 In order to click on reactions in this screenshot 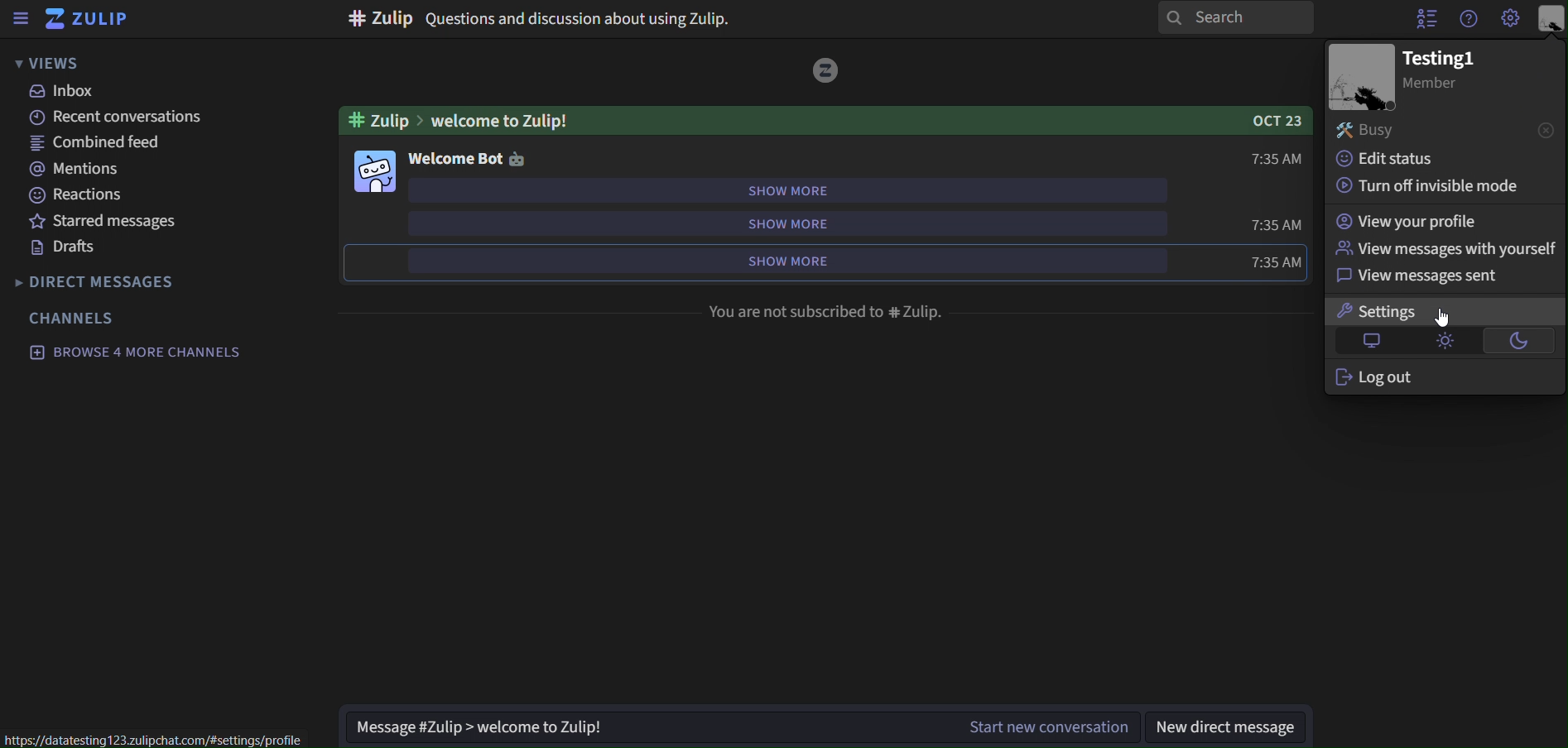, I will do `click(78, 194)`.